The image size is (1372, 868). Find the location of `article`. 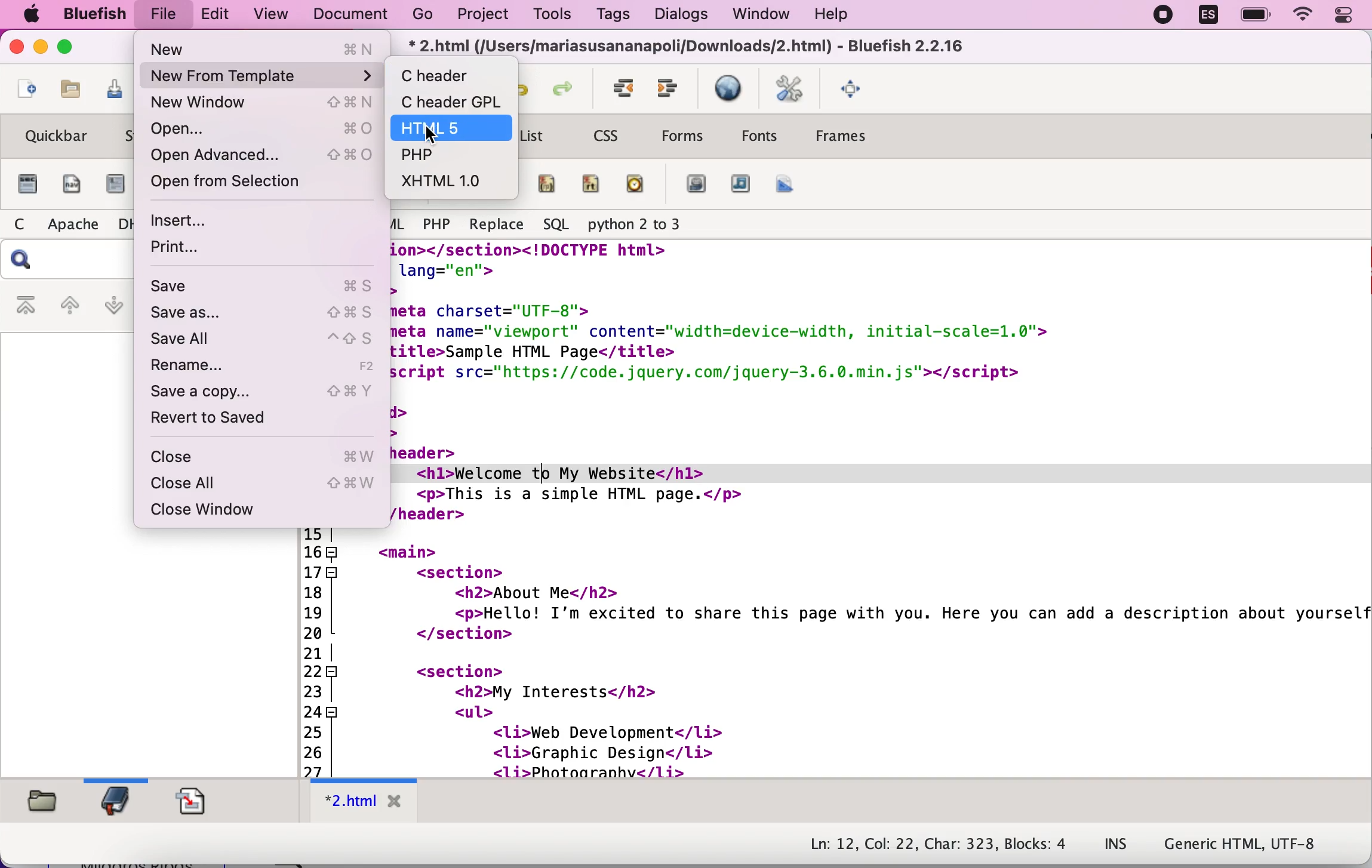

article is located at coordinates (115, 186).